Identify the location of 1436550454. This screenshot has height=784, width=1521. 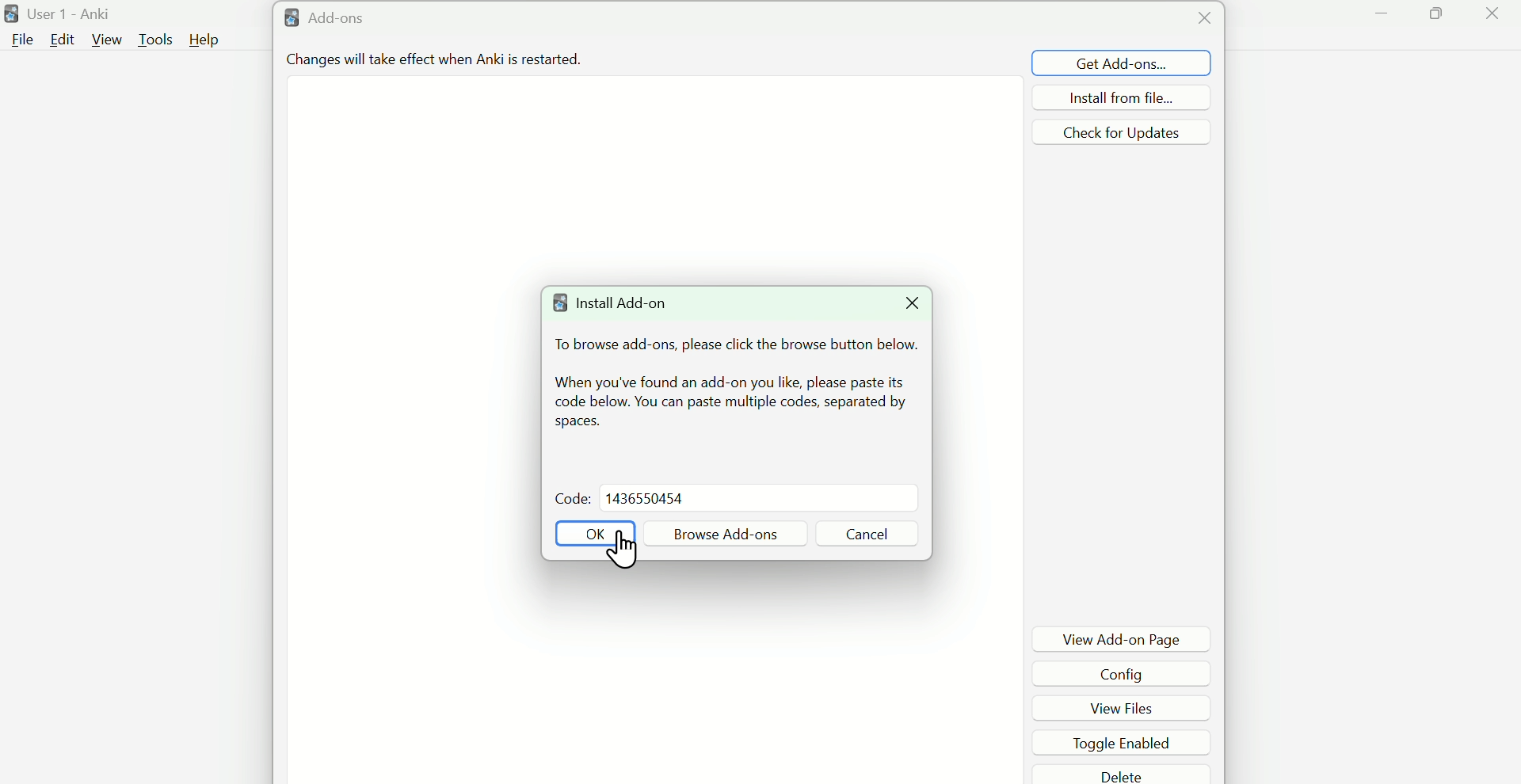
(646, 498).